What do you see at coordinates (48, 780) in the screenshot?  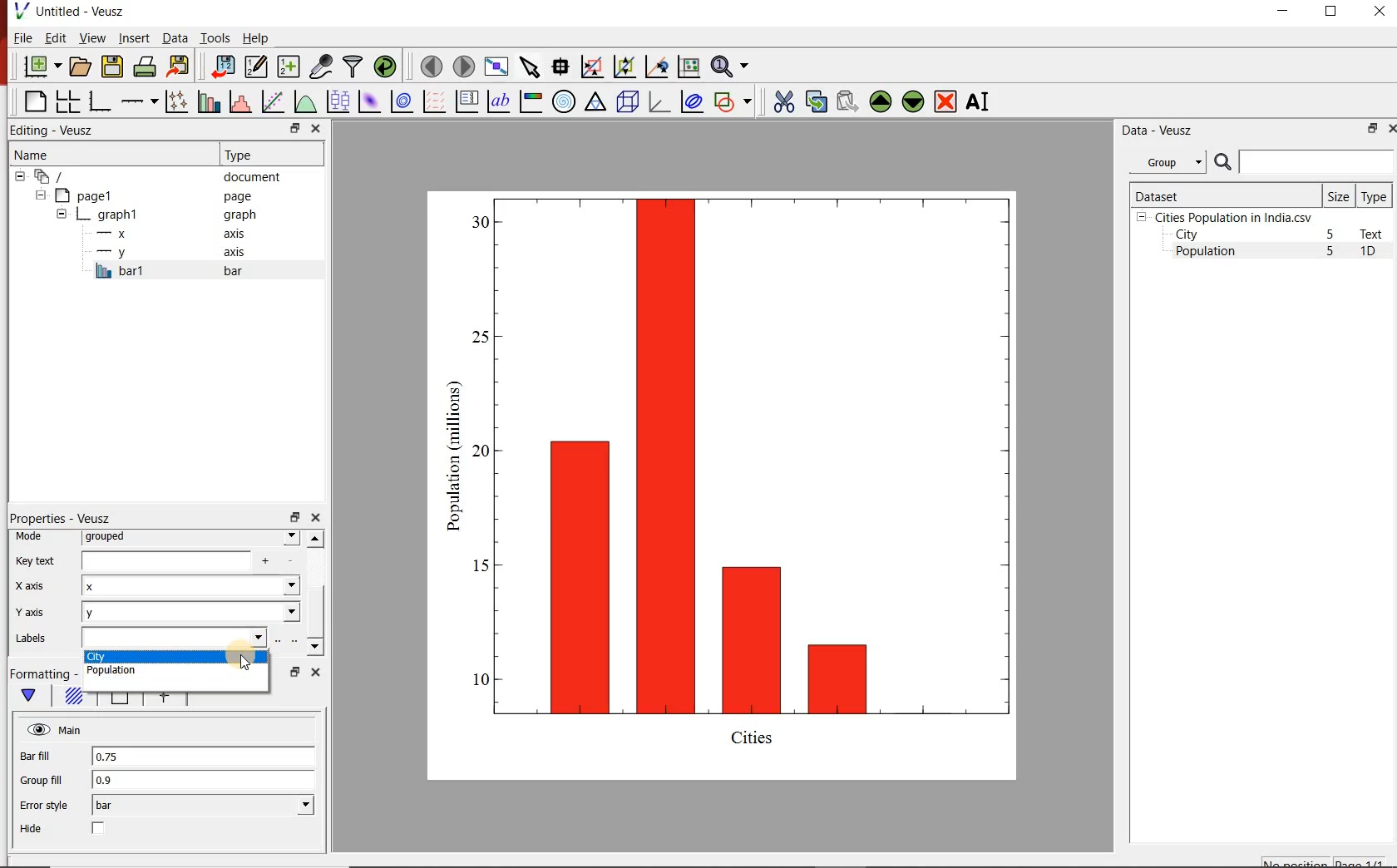 I see `Group fill` at bounding box center [48, 780].